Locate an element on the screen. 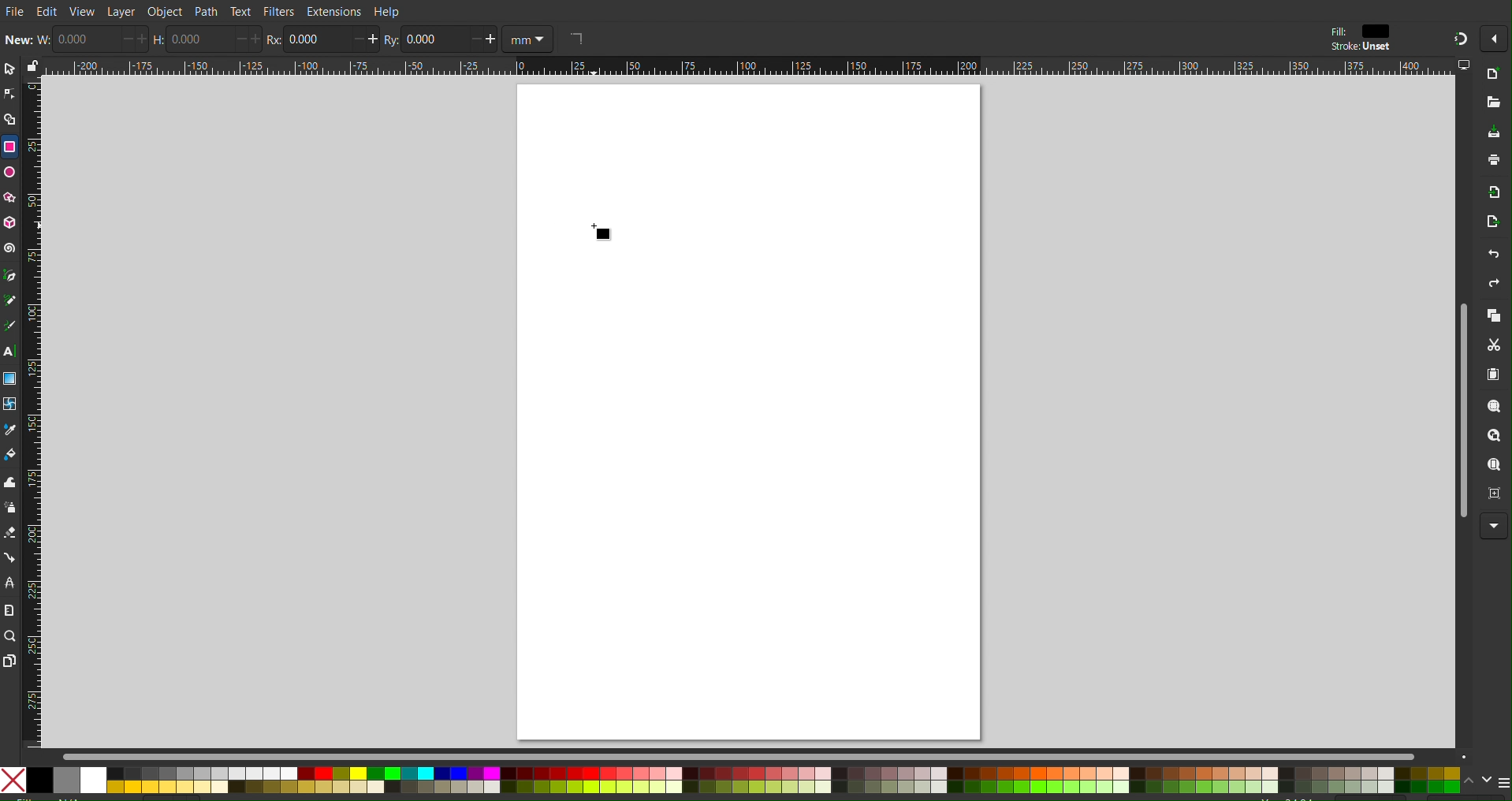 This screenshot has height=801, width=1512. Zoom Page Center is located at coordinates (1494, 495).